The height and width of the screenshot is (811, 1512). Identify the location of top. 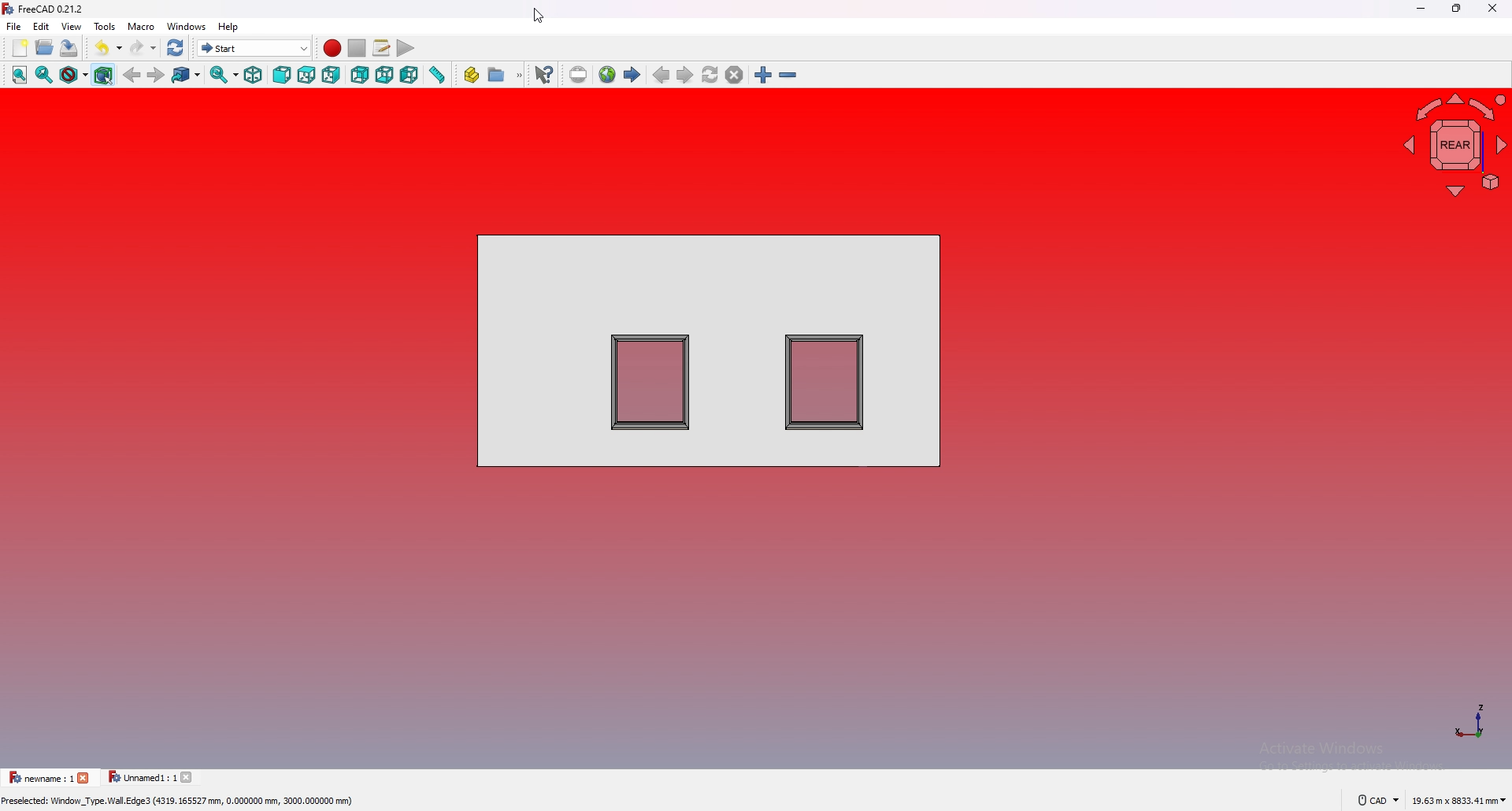
(306, 75).